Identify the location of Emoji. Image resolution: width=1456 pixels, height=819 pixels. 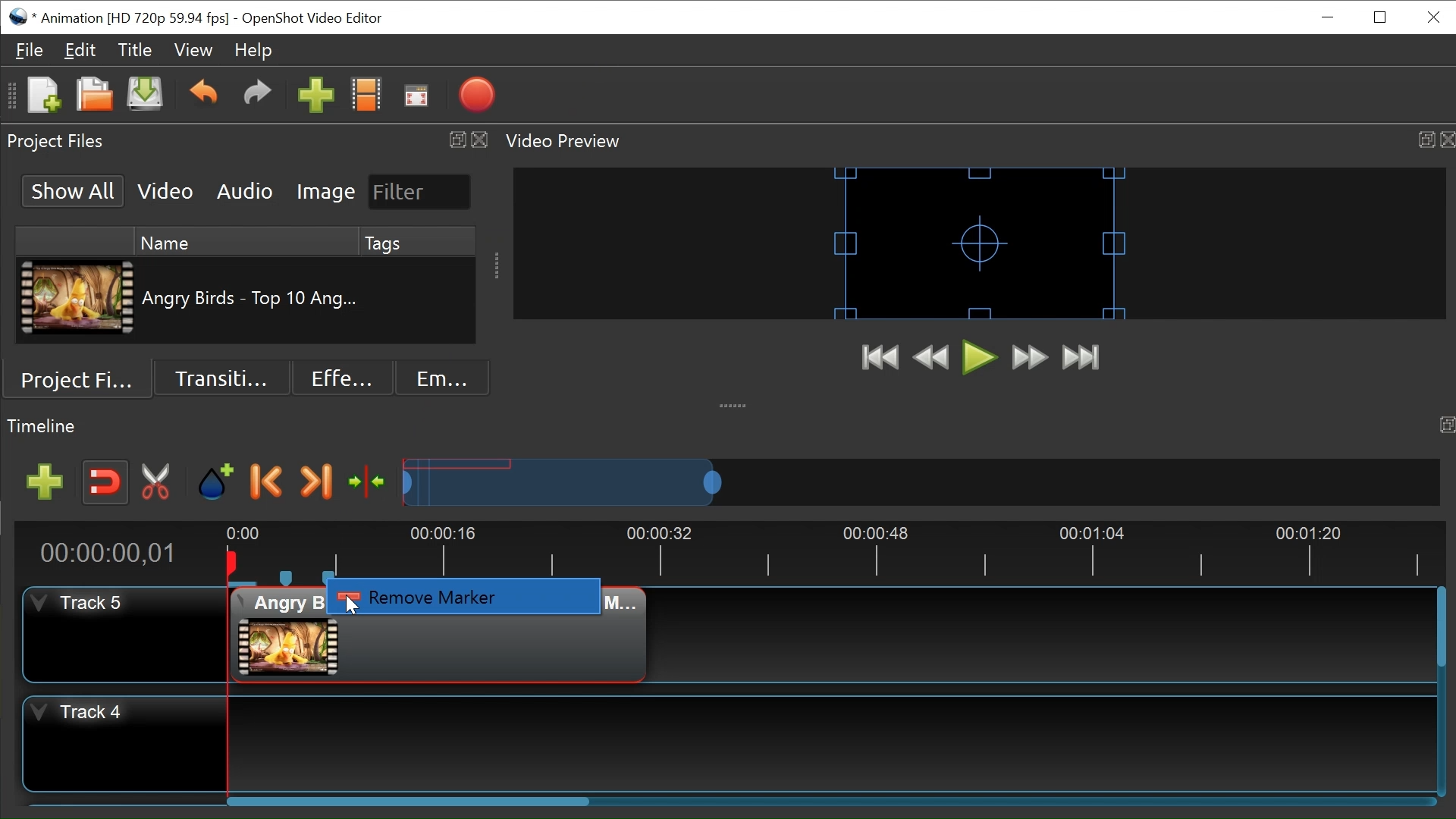
(443, 378).